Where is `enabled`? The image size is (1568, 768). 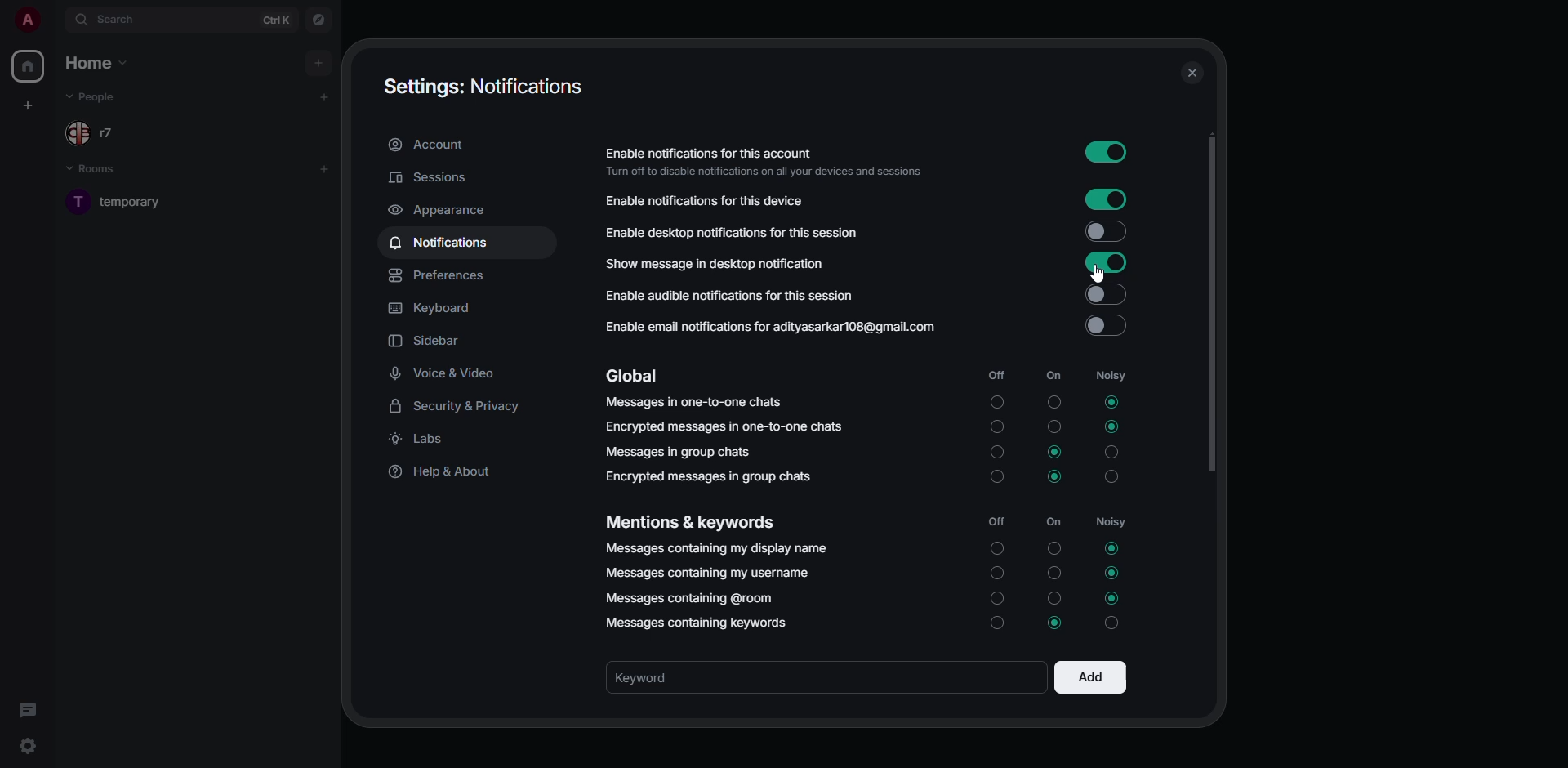 enabled is located at coordinates (1104, 263).